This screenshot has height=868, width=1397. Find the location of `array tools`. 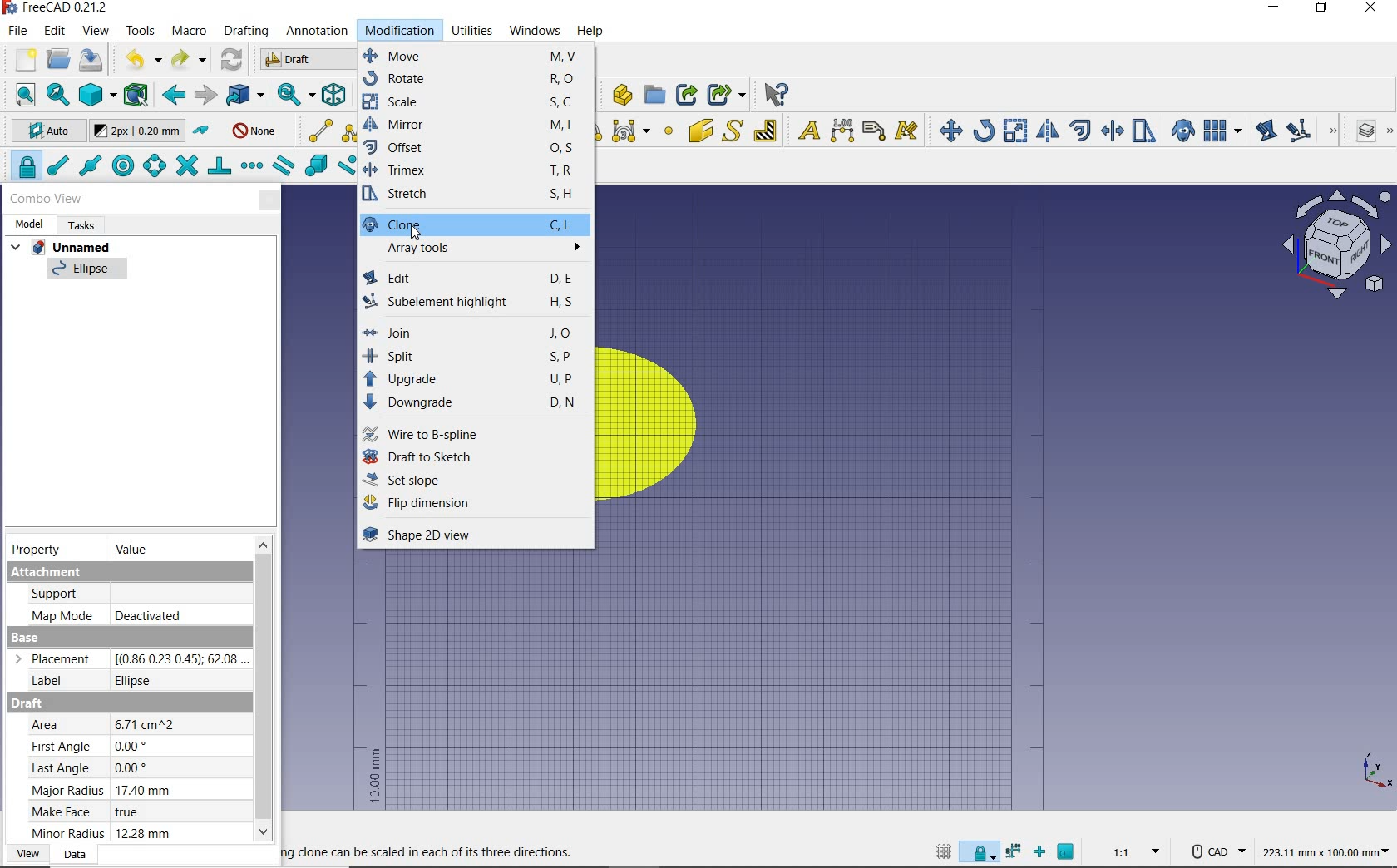

array tools is located at coordinates (1222, 130).